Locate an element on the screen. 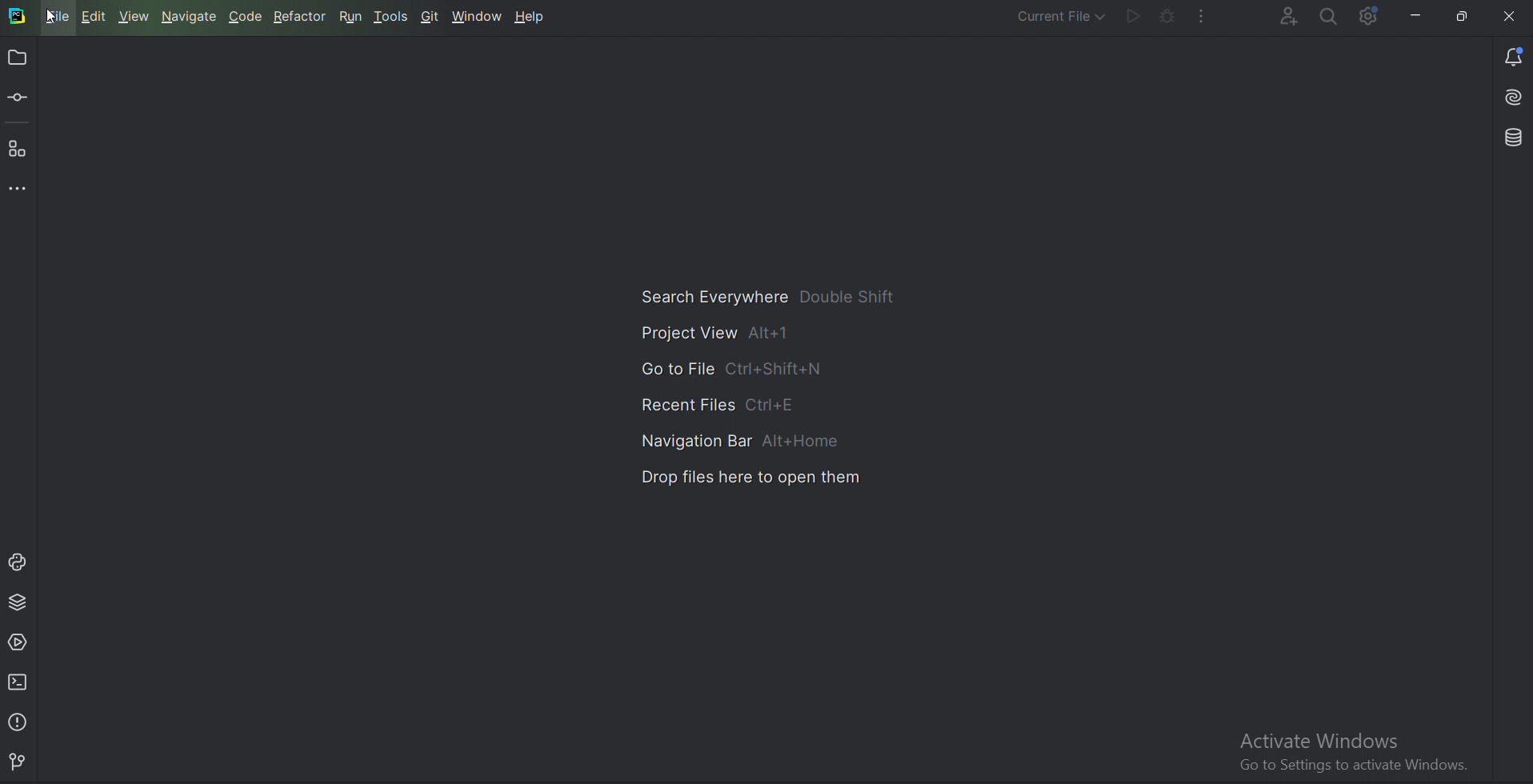 Image resolution: width=1533 pixels, height=784 pixels. Recent Files Ctrl+E is located at coordinates (725, 404).